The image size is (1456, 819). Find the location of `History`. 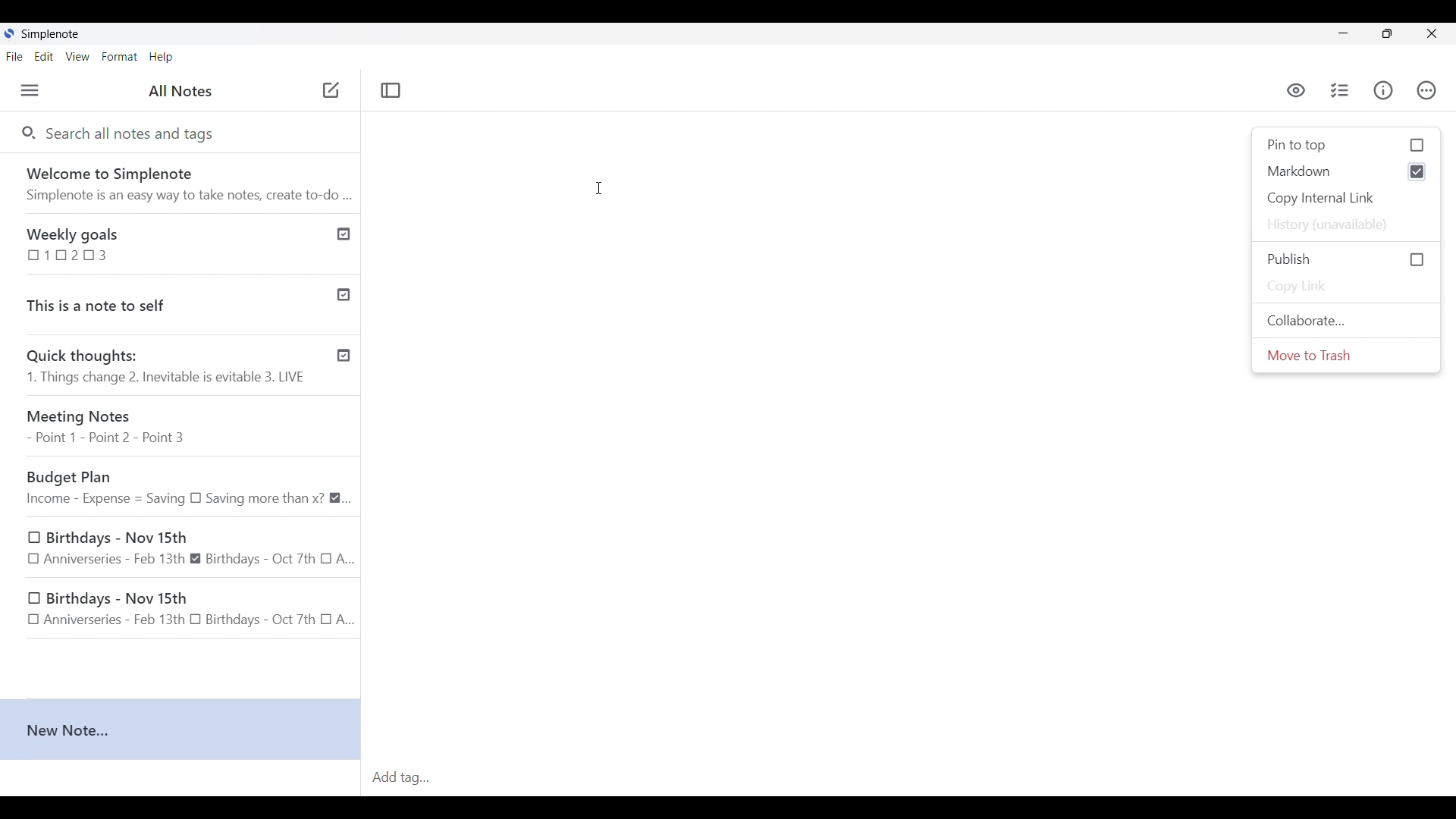

History is located at coordinates (1346, 225).